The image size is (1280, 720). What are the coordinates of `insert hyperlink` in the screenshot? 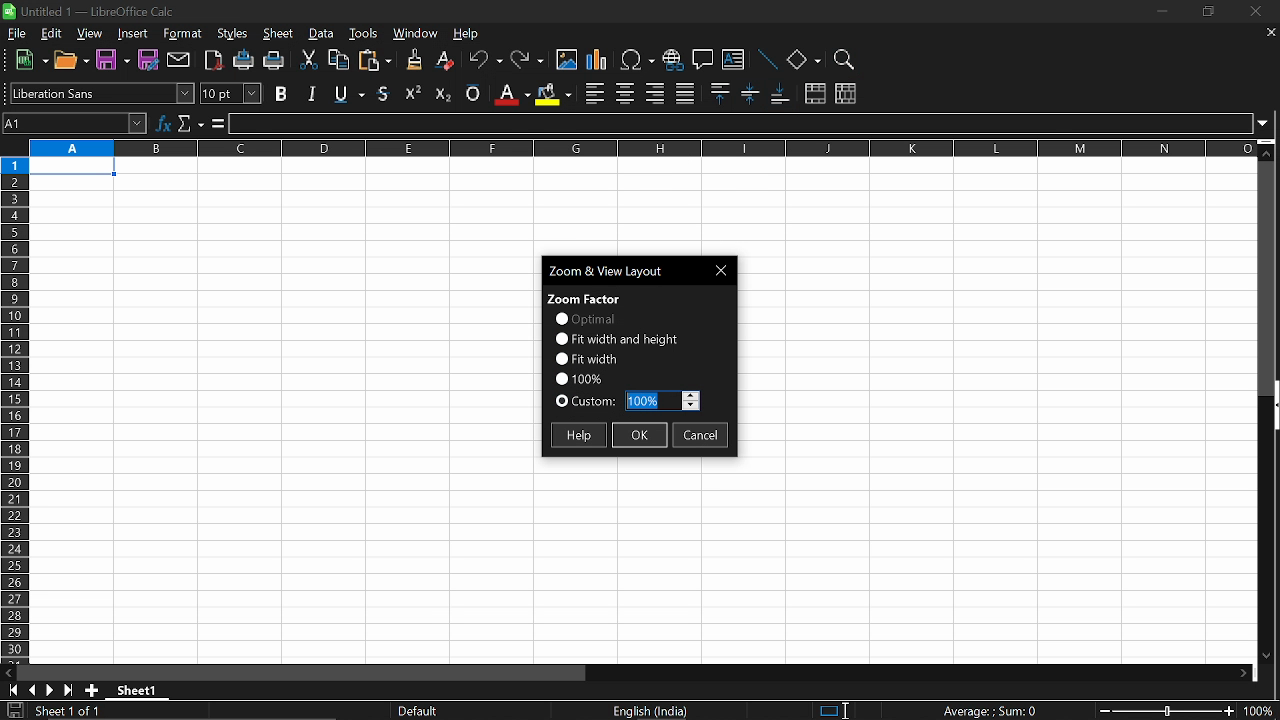 It's located at (672, 62).